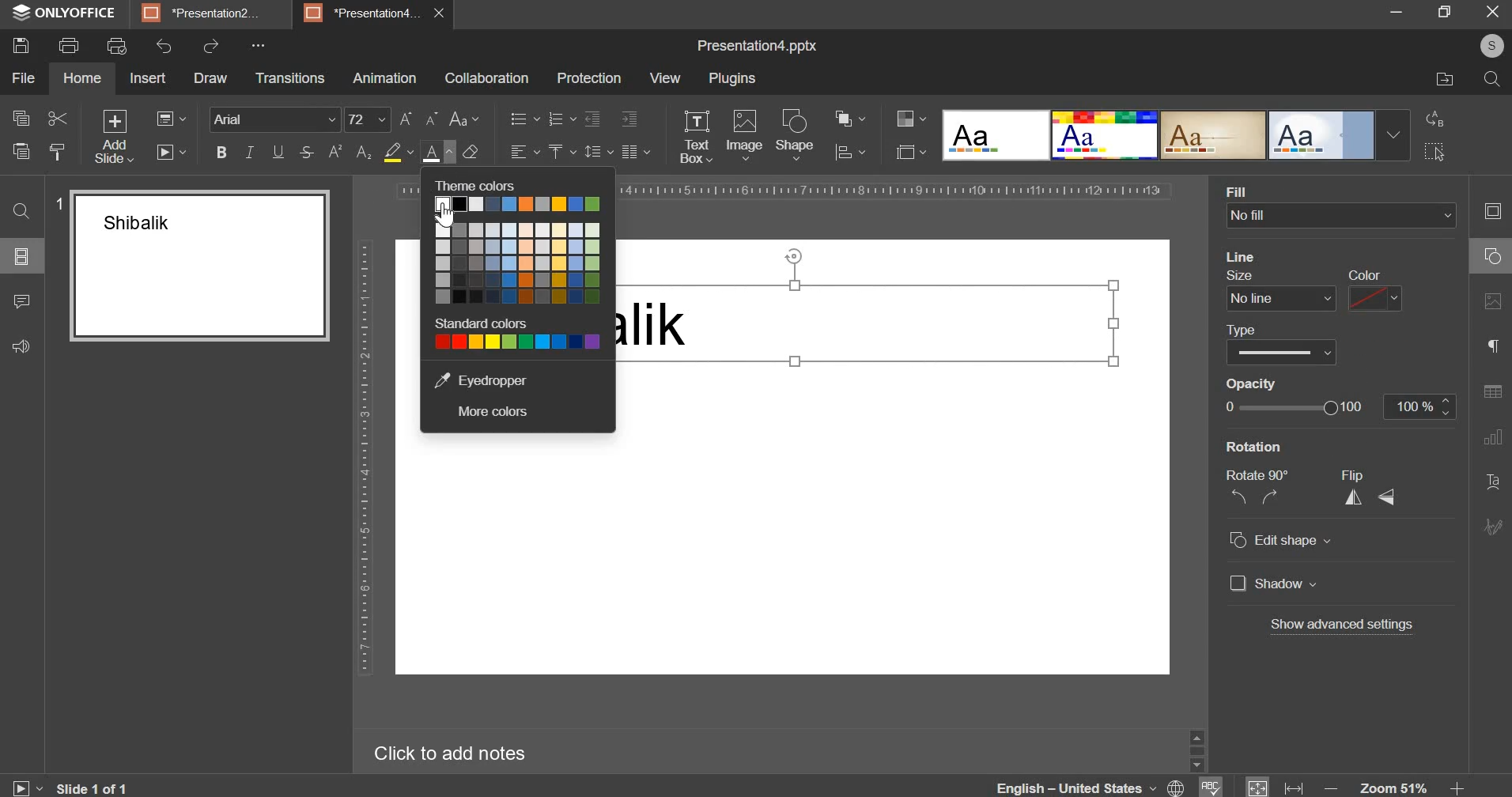 This screenshot has height=797, width=1512. Describe the element at coordinates (1490, 213) in the screenshot. I see `slide` at that location.